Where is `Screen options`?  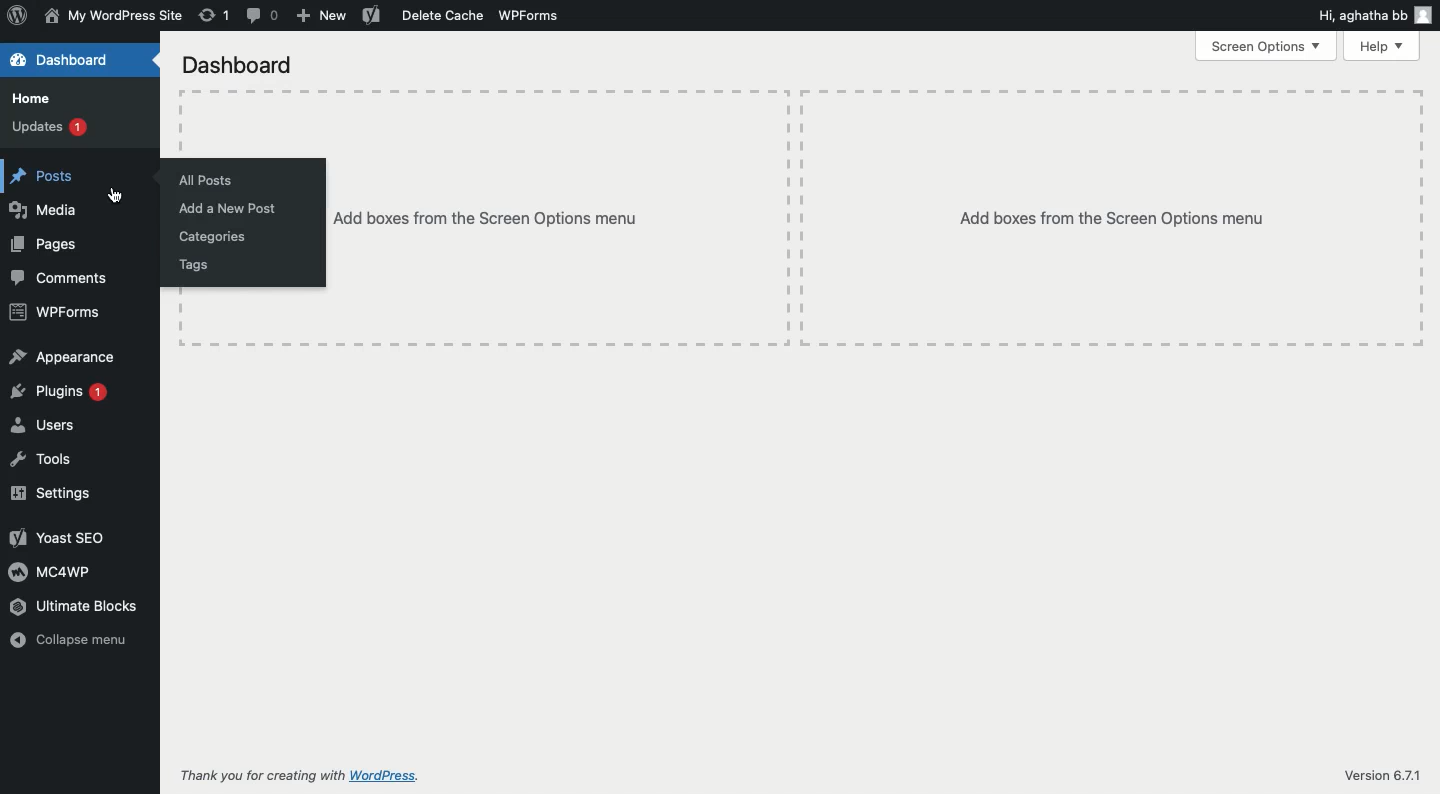 Screen options is located at coordinates (1266, 46).